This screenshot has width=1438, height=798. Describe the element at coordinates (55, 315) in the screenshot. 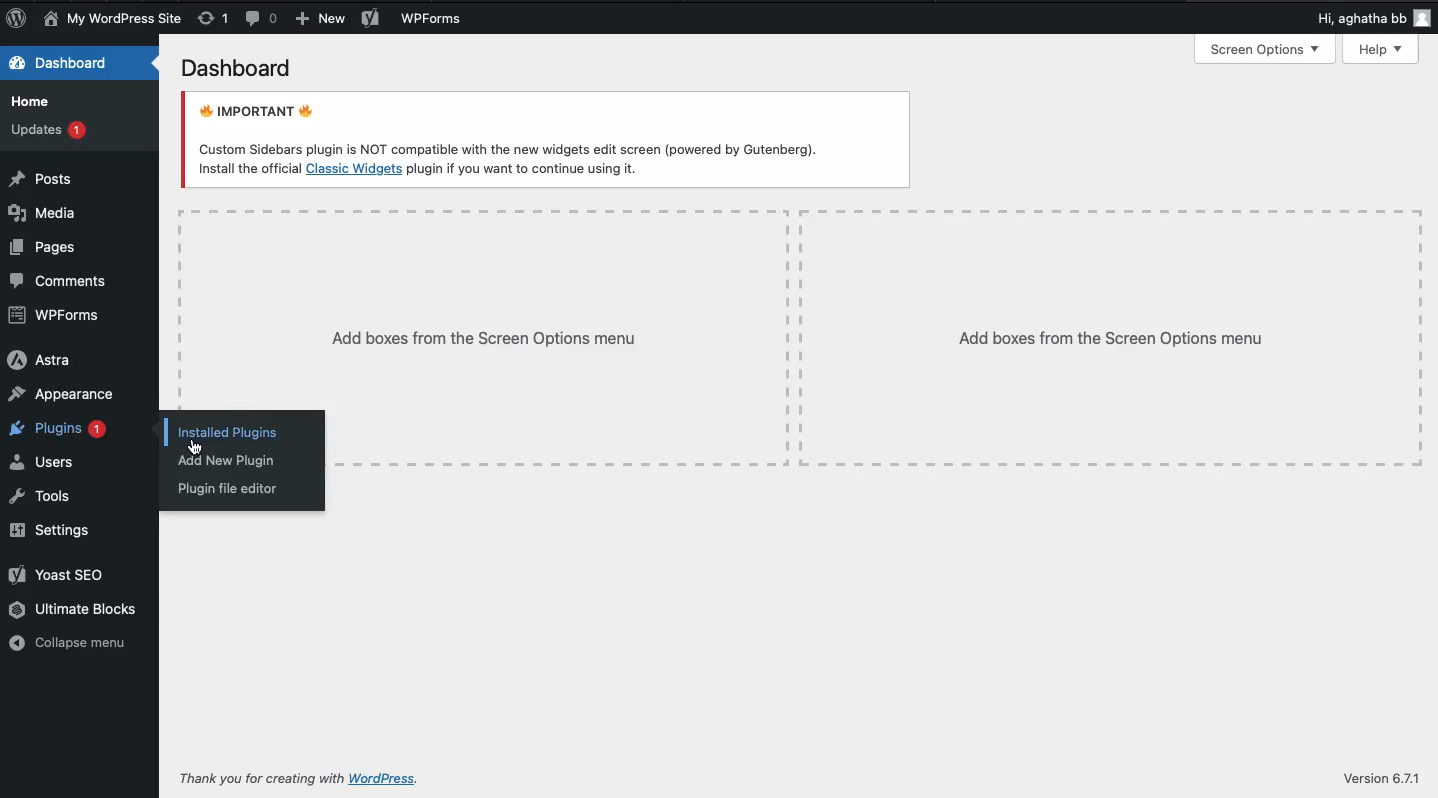

I see `WPForms` at that location.